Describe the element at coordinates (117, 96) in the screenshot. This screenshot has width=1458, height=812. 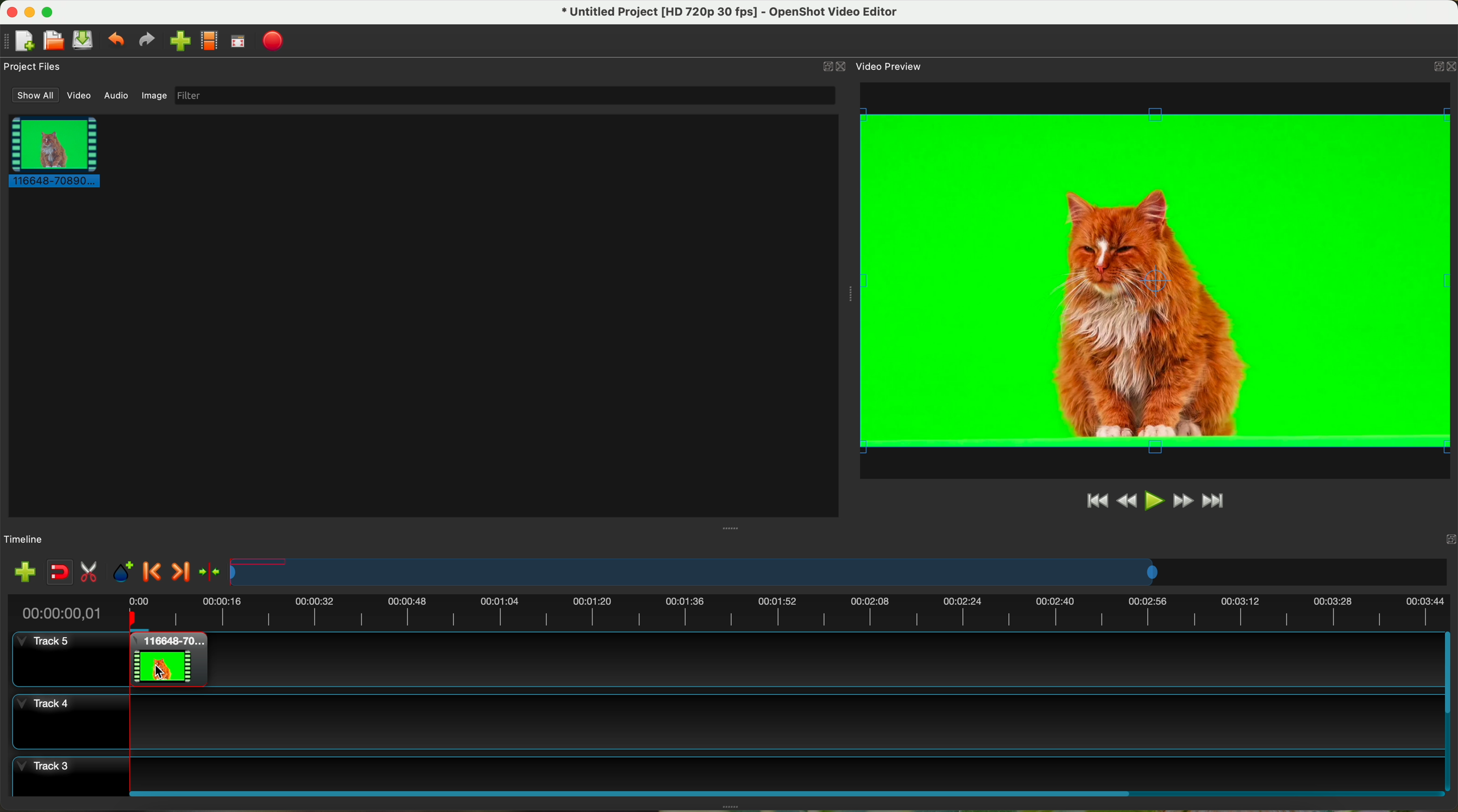
I see `audio` at that location.